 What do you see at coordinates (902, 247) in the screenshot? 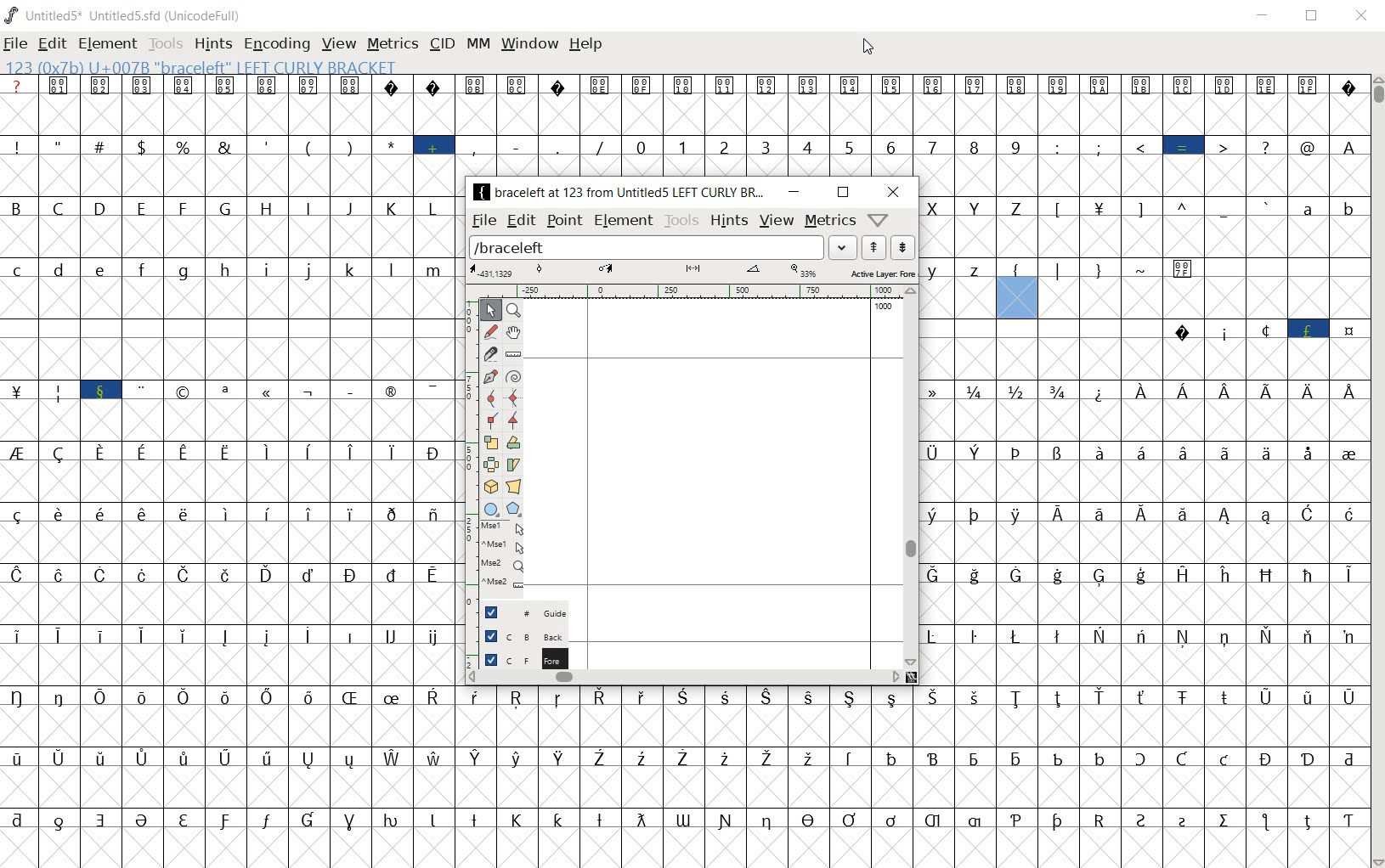
I see `show the previous word on the list` at bounding box center [902, 247].